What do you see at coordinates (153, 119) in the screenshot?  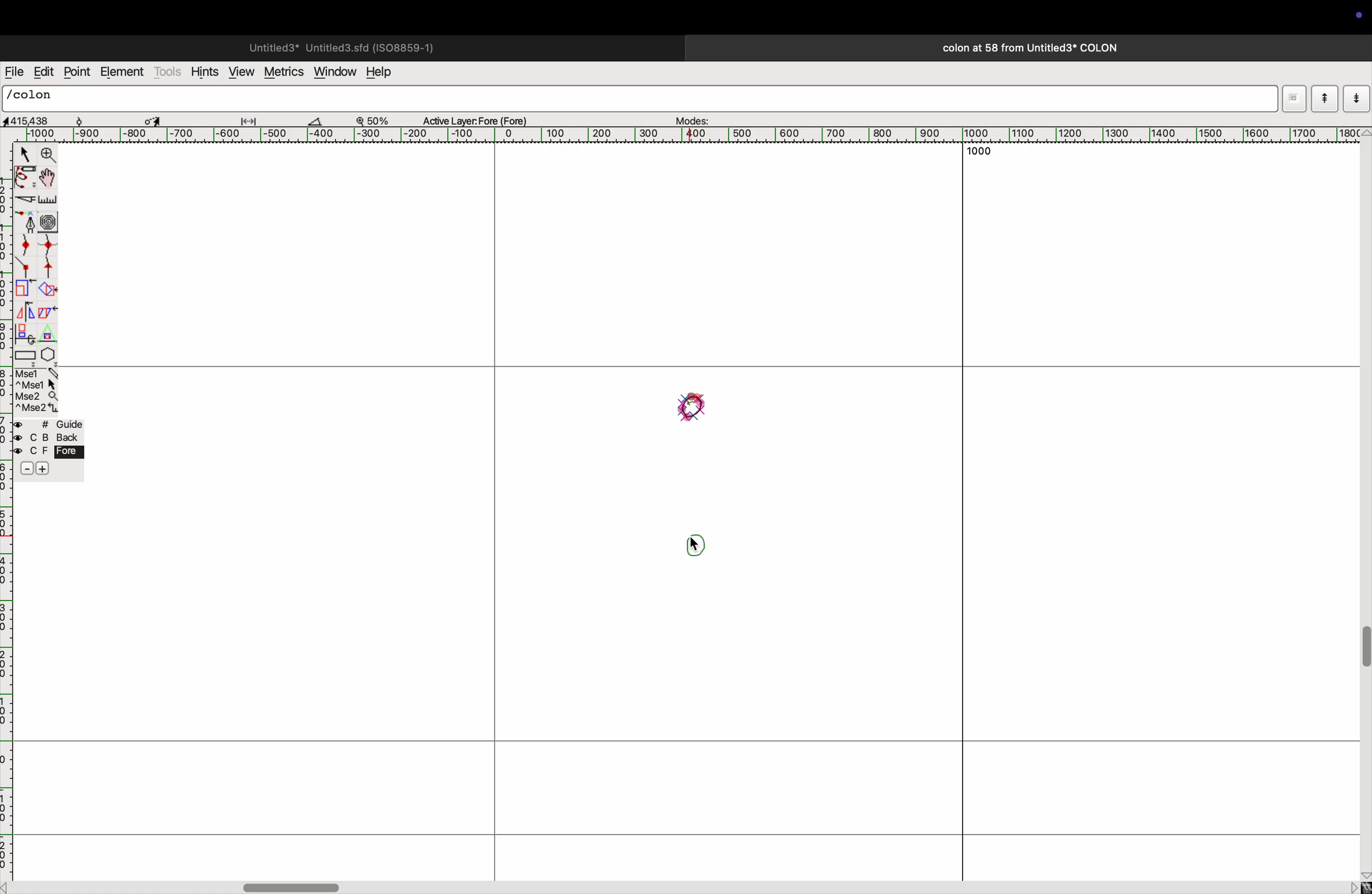 I see `toggle` at bounding box center [153, 119].